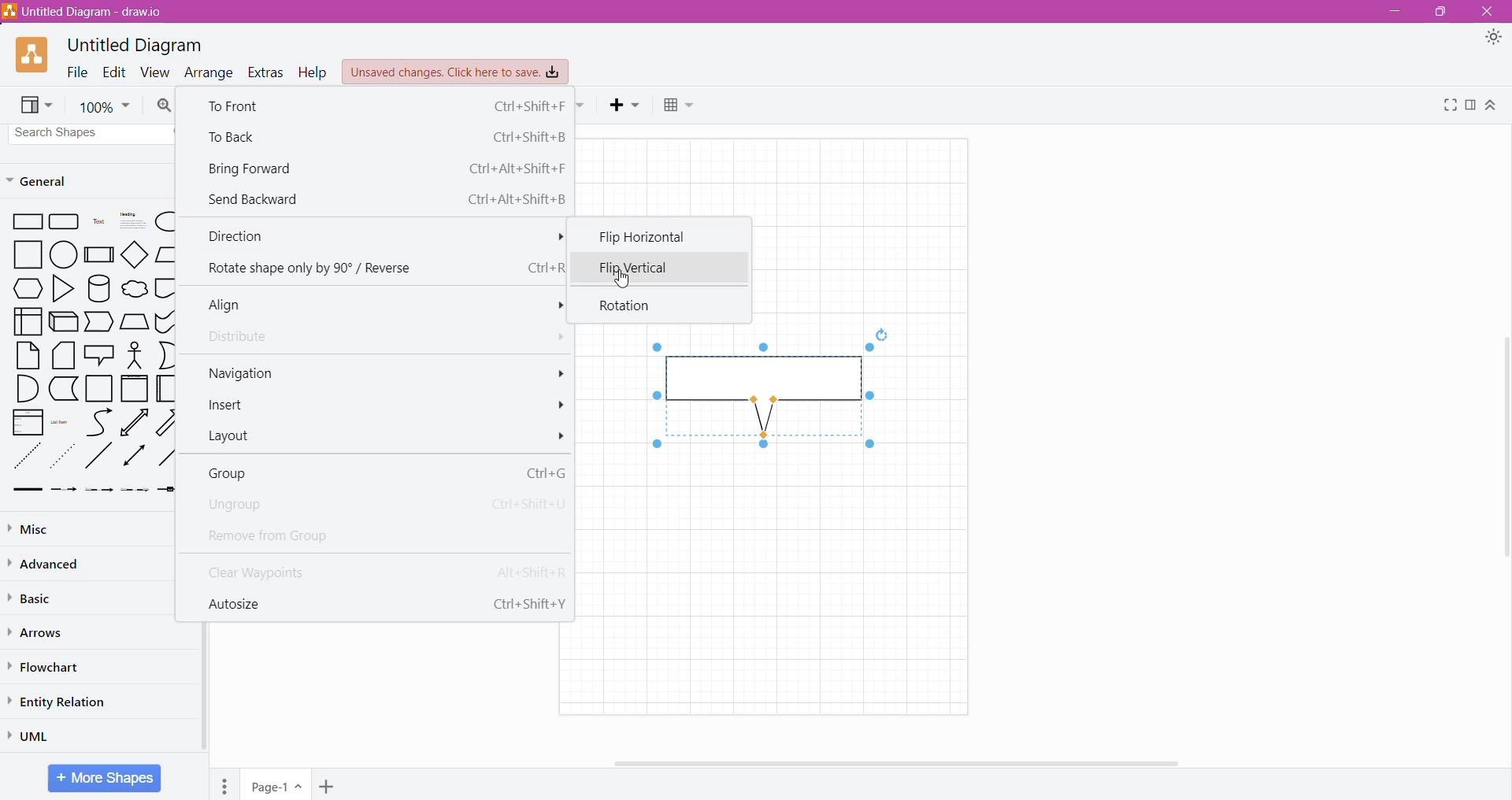  What do you see at coordinates (28, 355) in the screenshot?
I see `Paper Sheet` at bounding box center [28, 355].